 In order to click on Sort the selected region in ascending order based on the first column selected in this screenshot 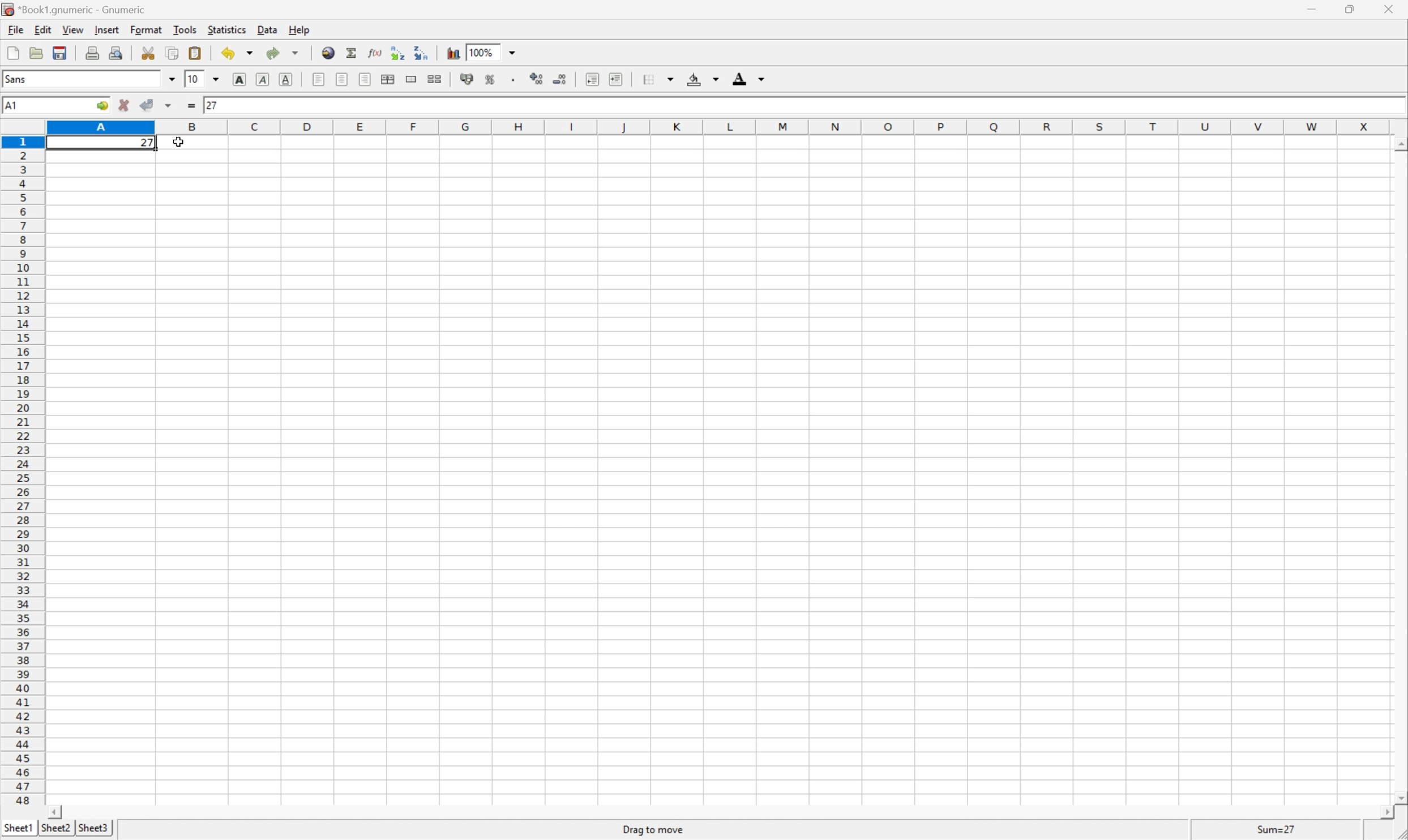, I will do `click(398, 52)`.